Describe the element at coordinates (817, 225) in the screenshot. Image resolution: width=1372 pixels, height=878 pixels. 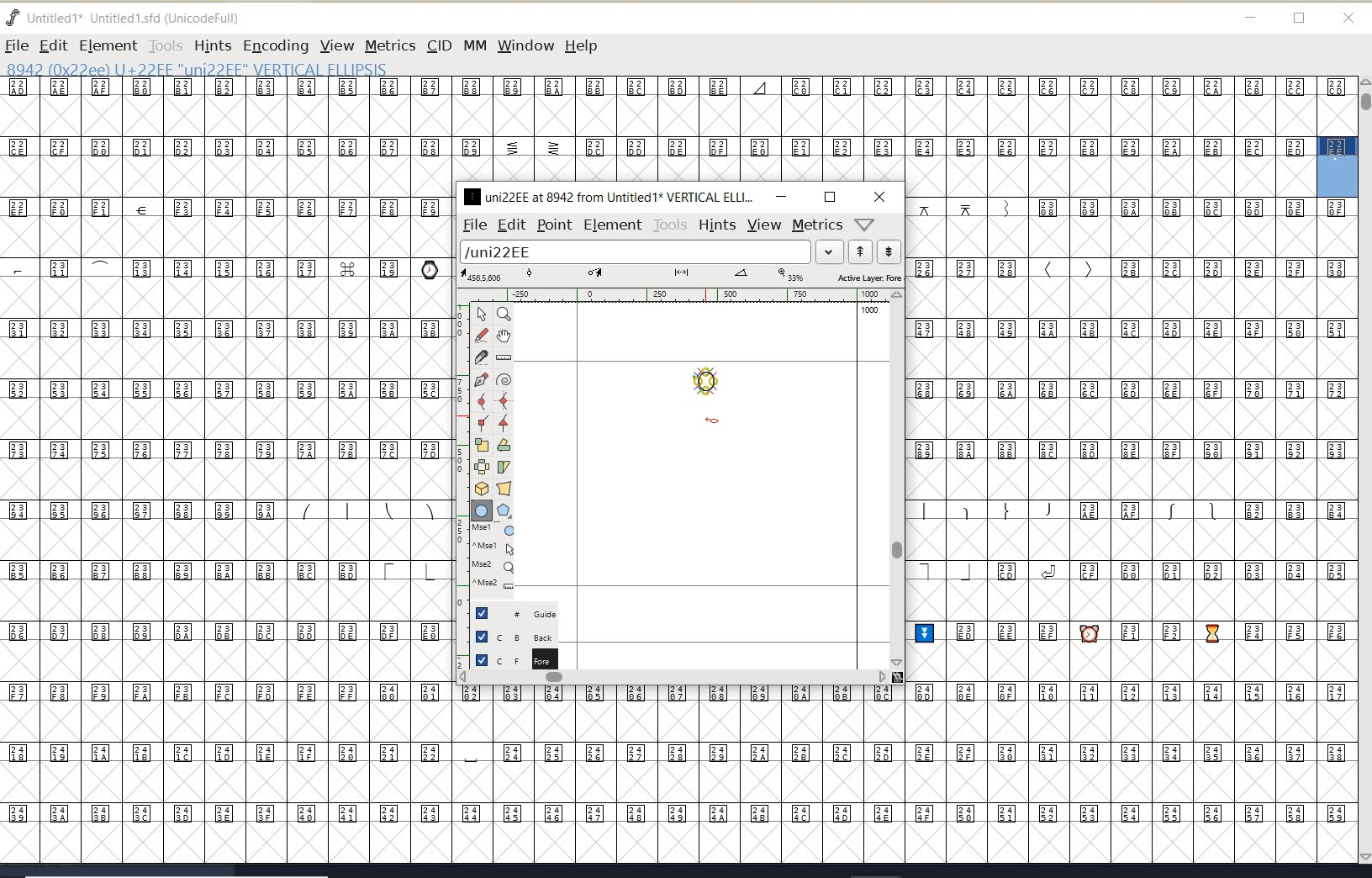
I see `metrics` at that location.